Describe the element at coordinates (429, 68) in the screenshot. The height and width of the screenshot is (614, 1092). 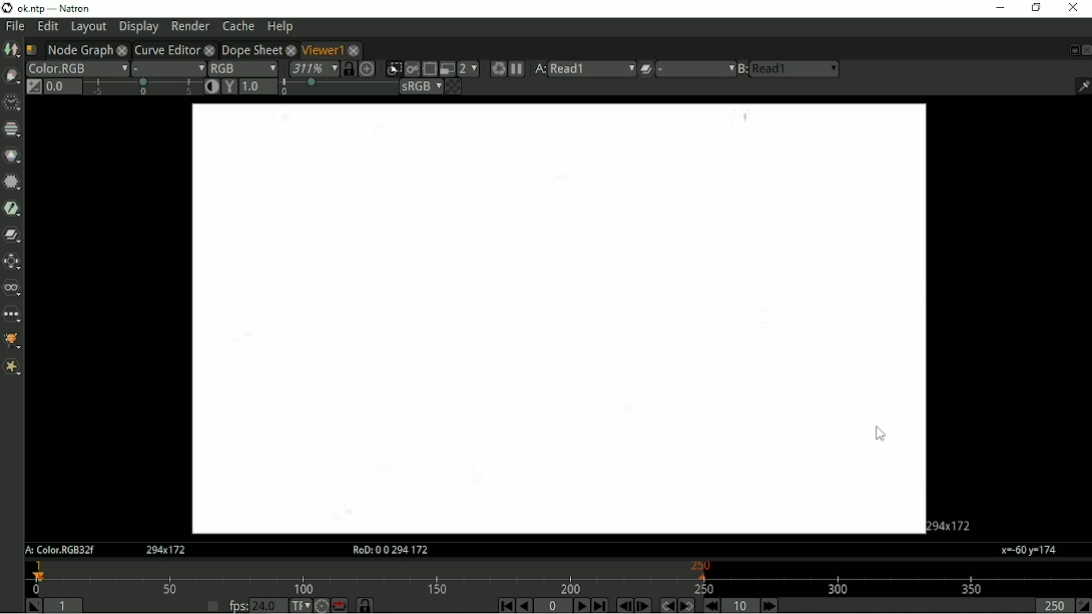
I see `Enables region of interest that limits the portion of the viewer that is kept udpdated ` at that location.